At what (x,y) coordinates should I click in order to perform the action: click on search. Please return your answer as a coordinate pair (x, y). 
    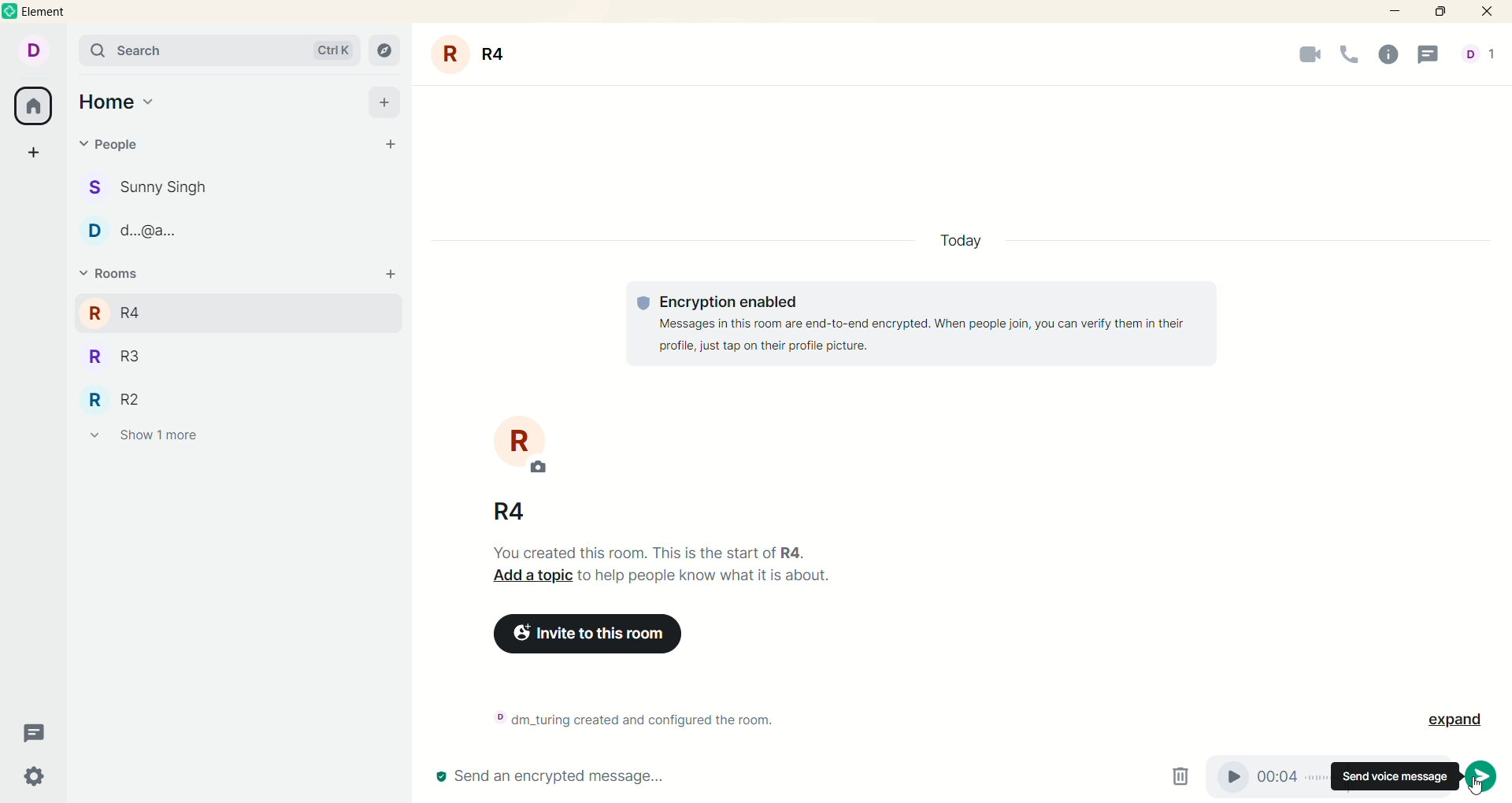
    Looking at the image, I should click on (219, 50).